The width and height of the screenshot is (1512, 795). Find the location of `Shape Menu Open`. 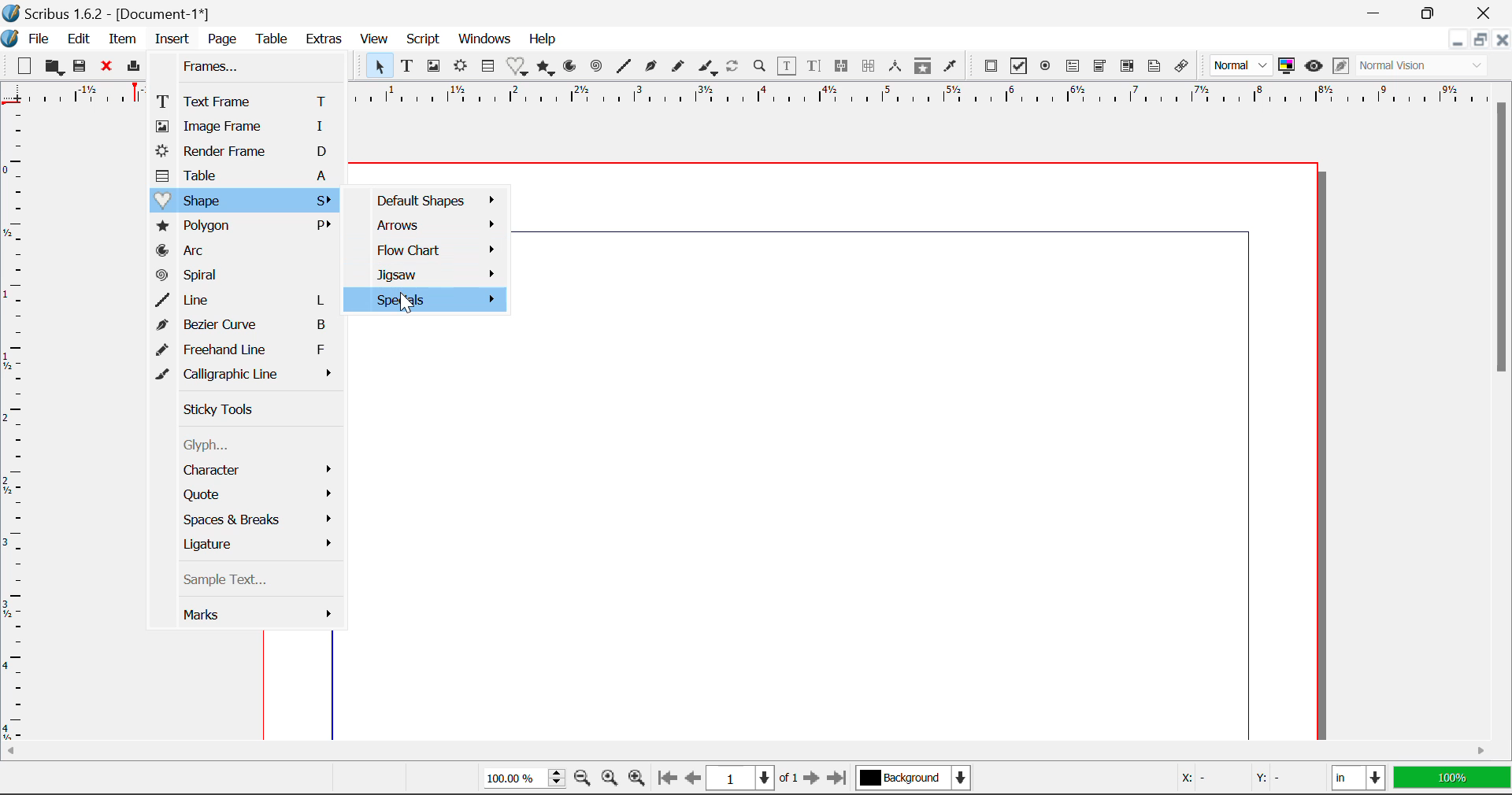

Shape Menu Open is located at coordinates (244, 200).